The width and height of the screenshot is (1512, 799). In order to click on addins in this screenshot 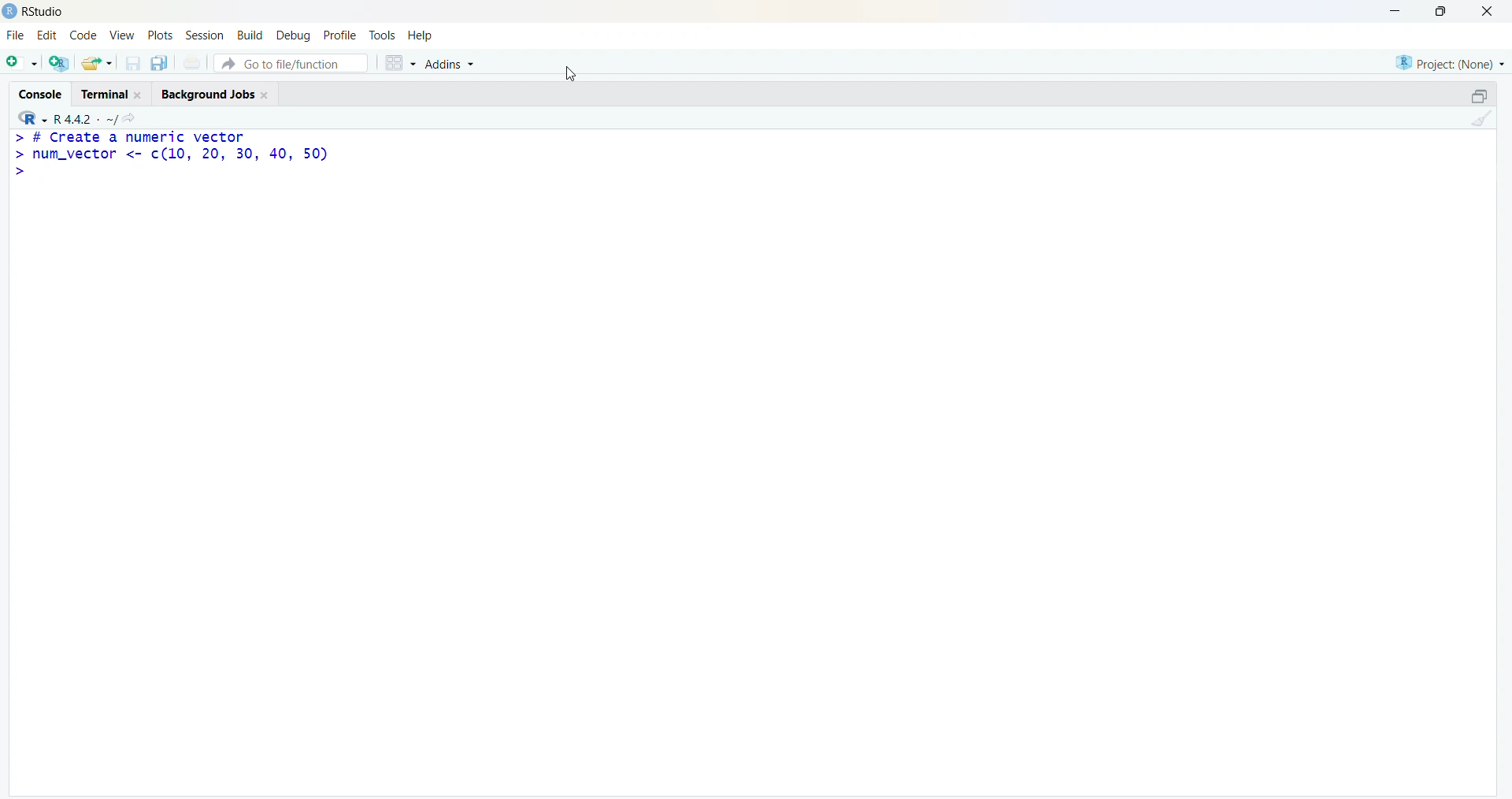, I will do `click(450, 65)`.